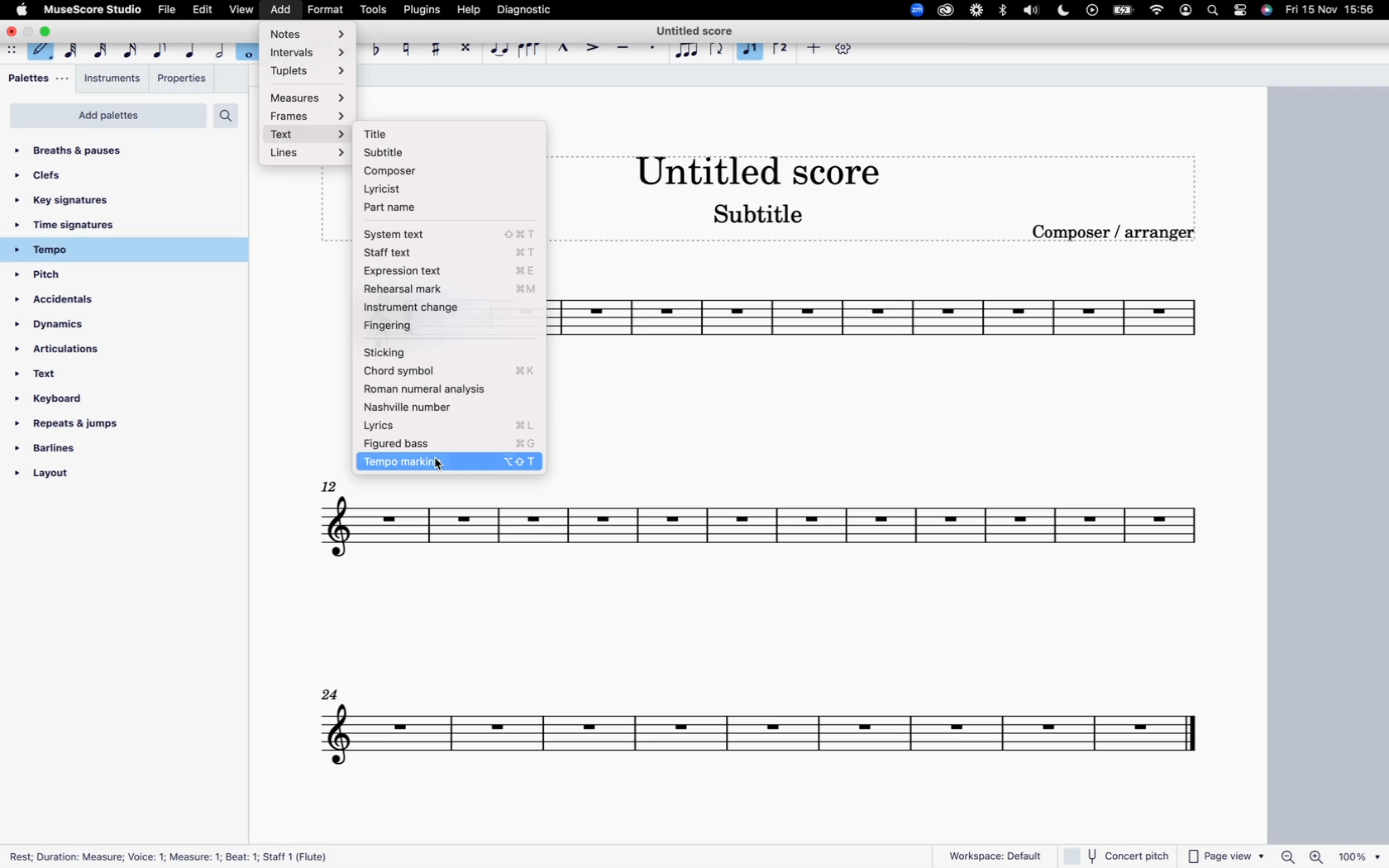  What do you see at coordinates (100, 150) in the screenshot?
I see `breaths & pauses` at bounding box center [100, 150].